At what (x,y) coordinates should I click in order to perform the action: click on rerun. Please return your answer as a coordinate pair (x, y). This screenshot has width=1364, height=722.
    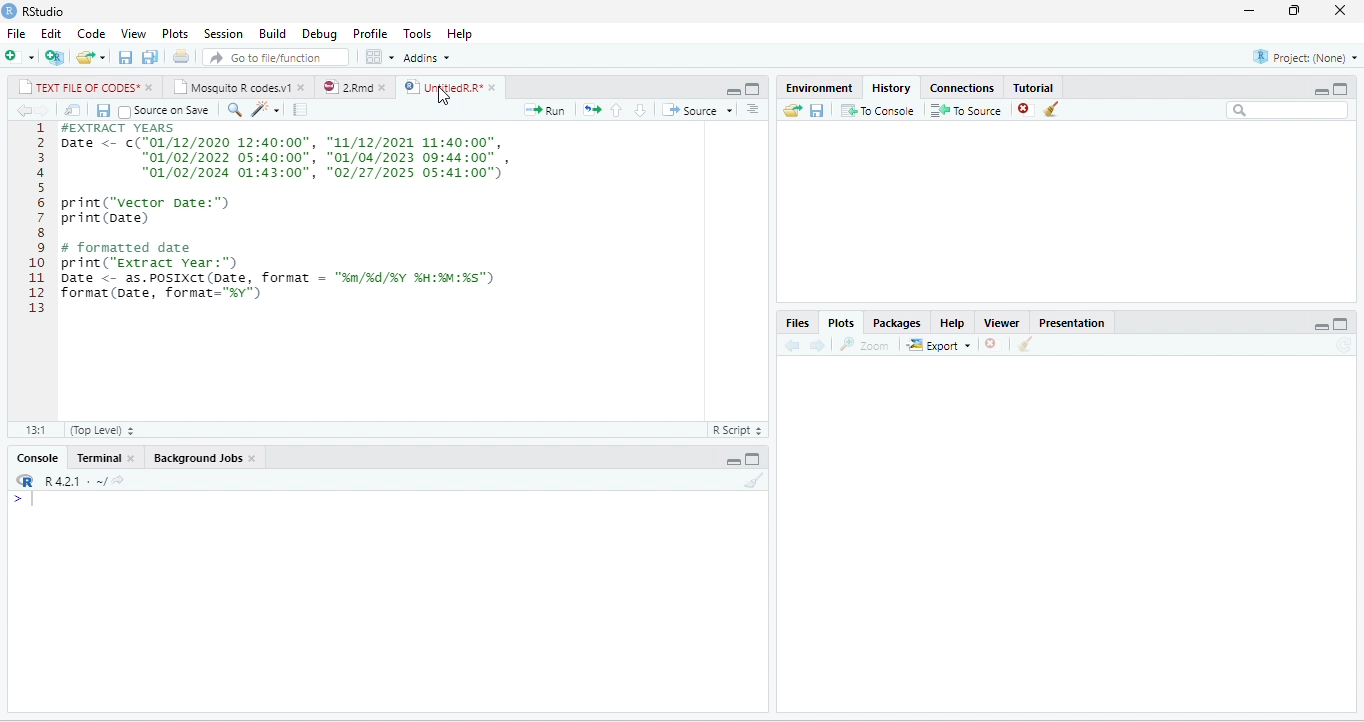
    Looking at the image, I should click on (591, 109).